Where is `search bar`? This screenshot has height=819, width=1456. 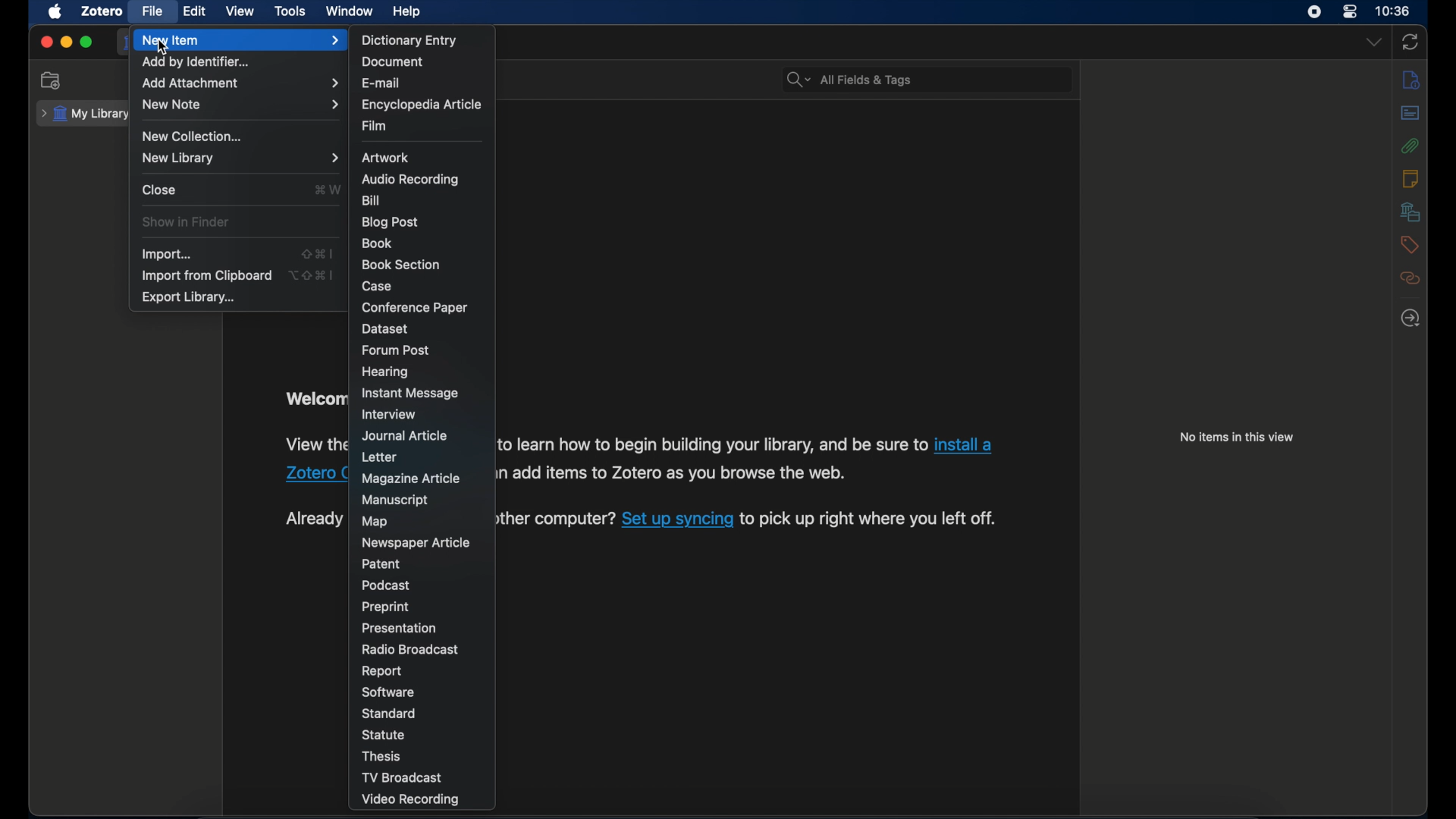 search bar is located at coordinates (848, 79).